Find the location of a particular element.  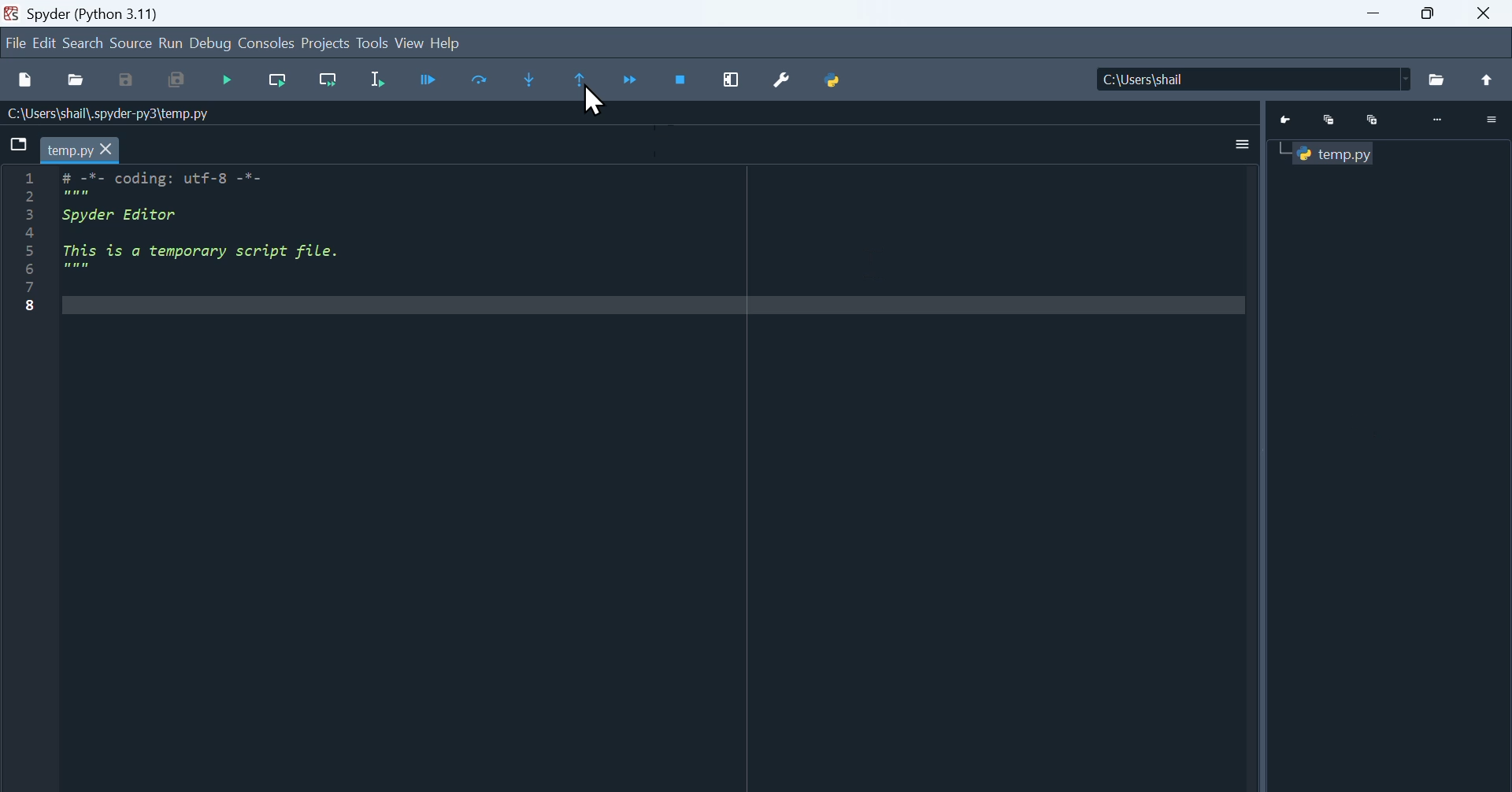

Minimize is located at coordinates (1329, 122).